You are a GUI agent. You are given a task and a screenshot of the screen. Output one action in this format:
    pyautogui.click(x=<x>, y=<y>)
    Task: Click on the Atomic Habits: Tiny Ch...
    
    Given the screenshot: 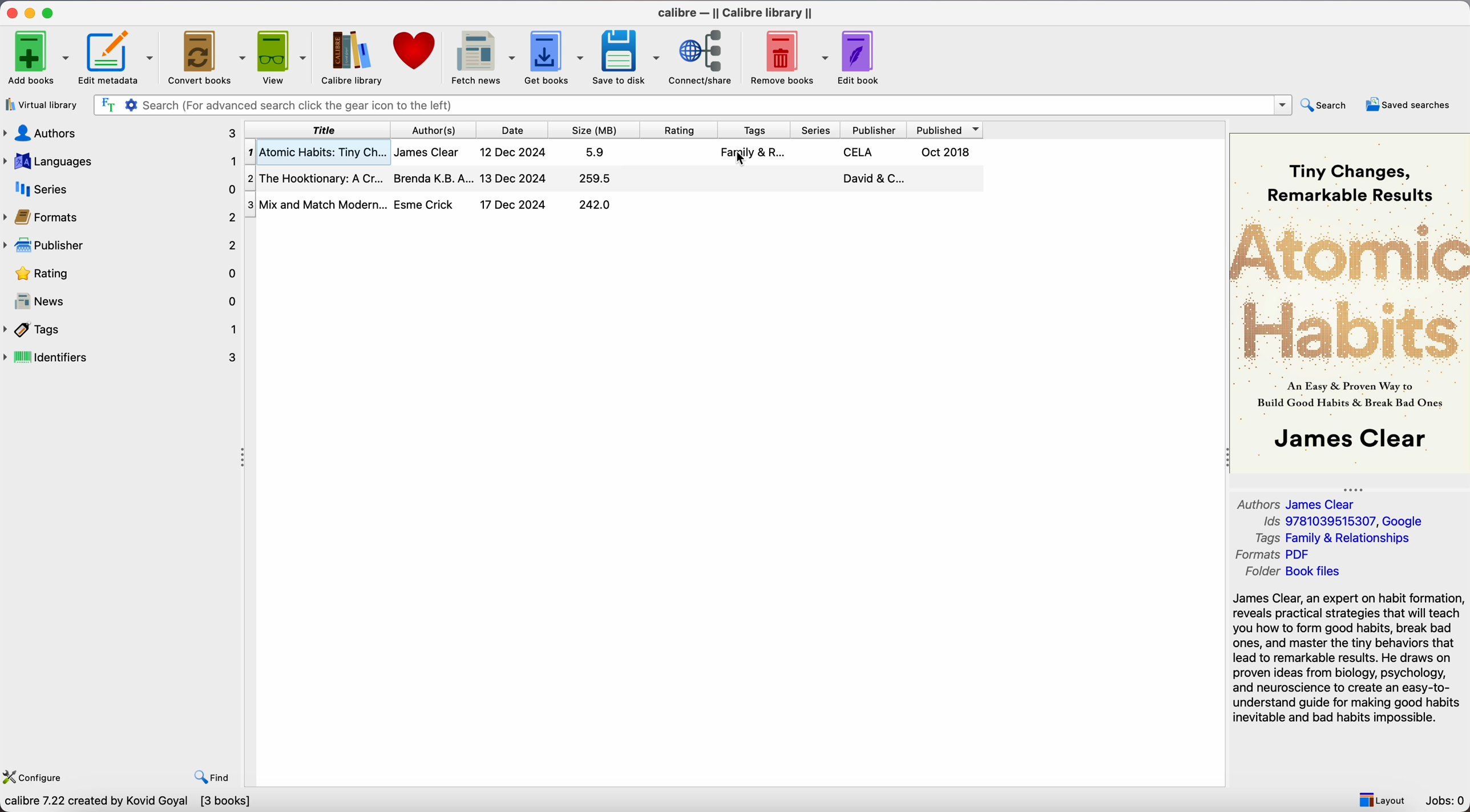 What is the action you would take?
    pyautogui.click(x=315, y=152)
    